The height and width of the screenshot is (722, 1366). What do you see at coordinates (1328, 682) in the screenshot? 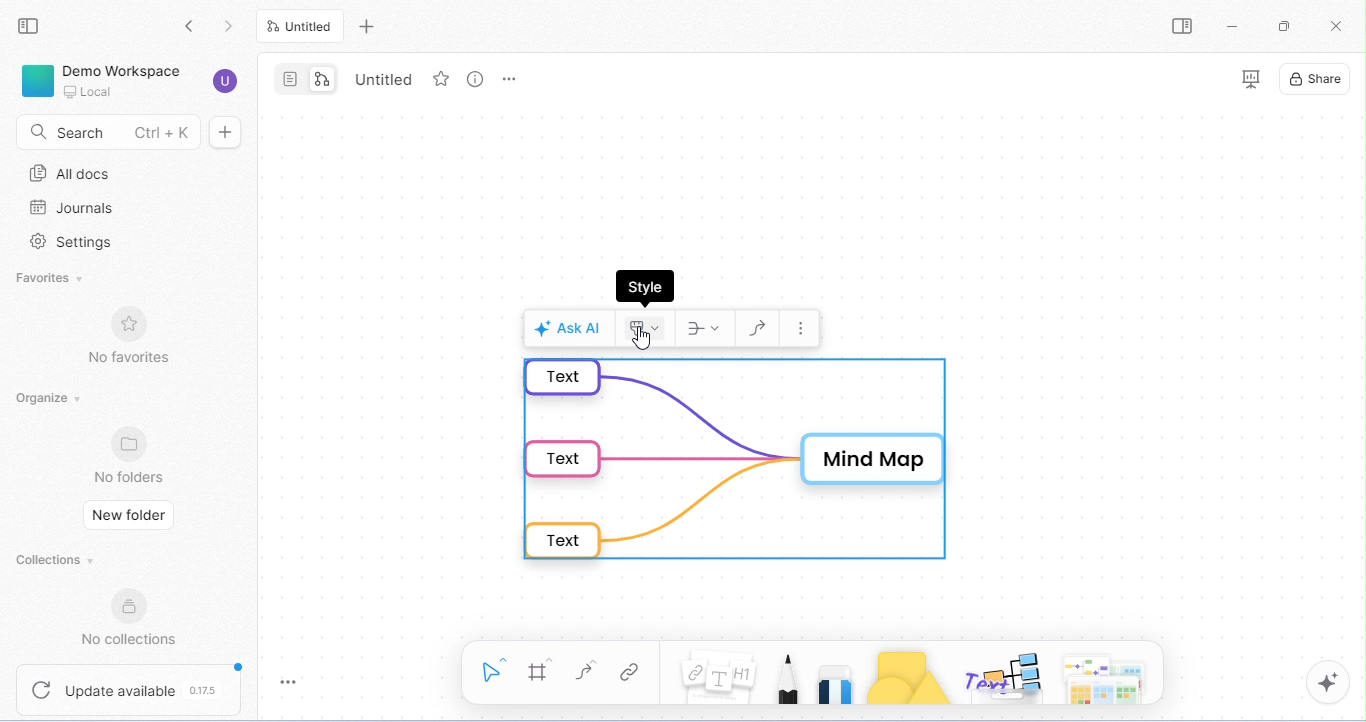
I see `AI` at bounding box center [1328, 682].